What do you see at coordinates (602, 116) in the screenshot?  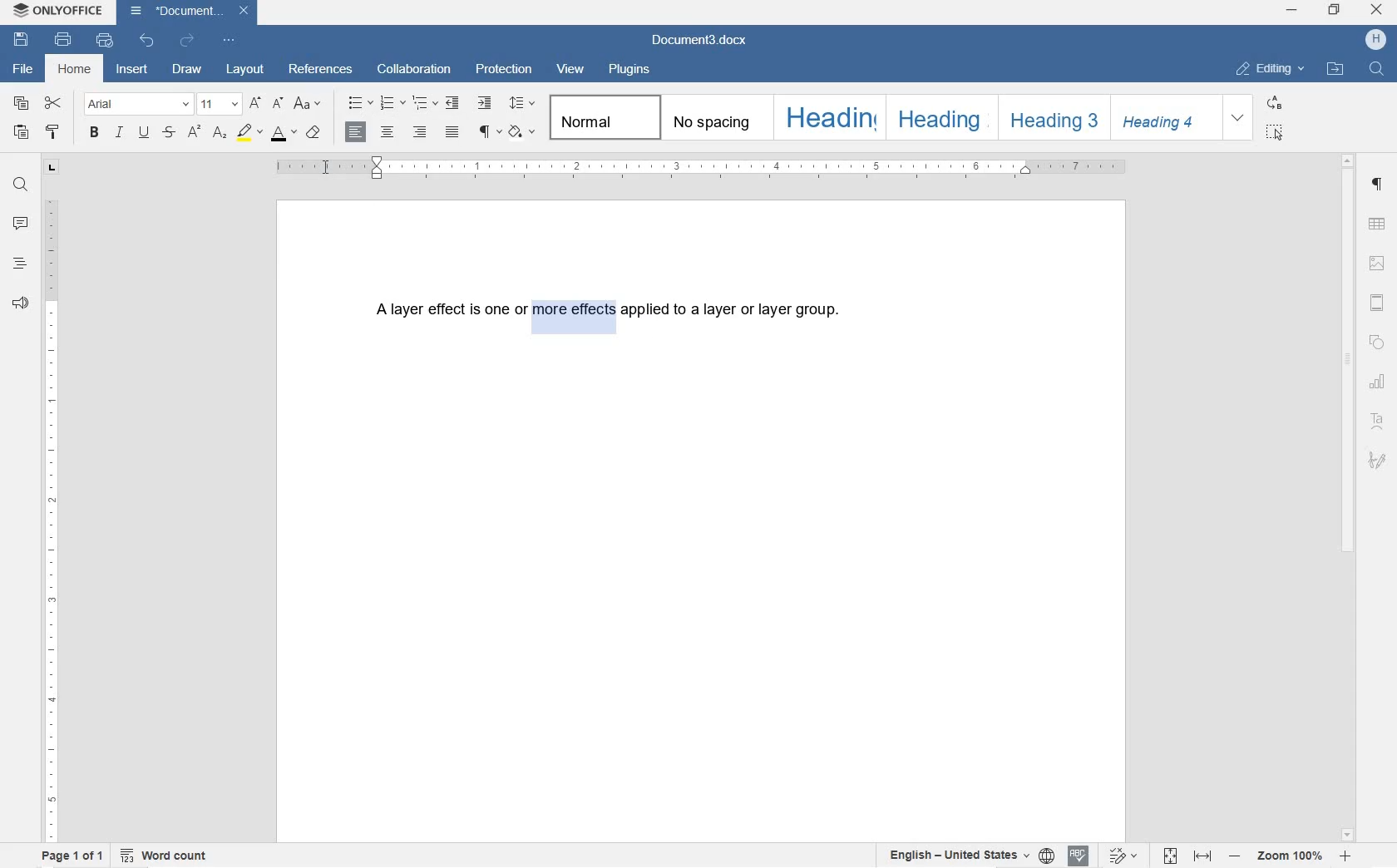 I see `NORMAL` at bounding box center [602, 116].